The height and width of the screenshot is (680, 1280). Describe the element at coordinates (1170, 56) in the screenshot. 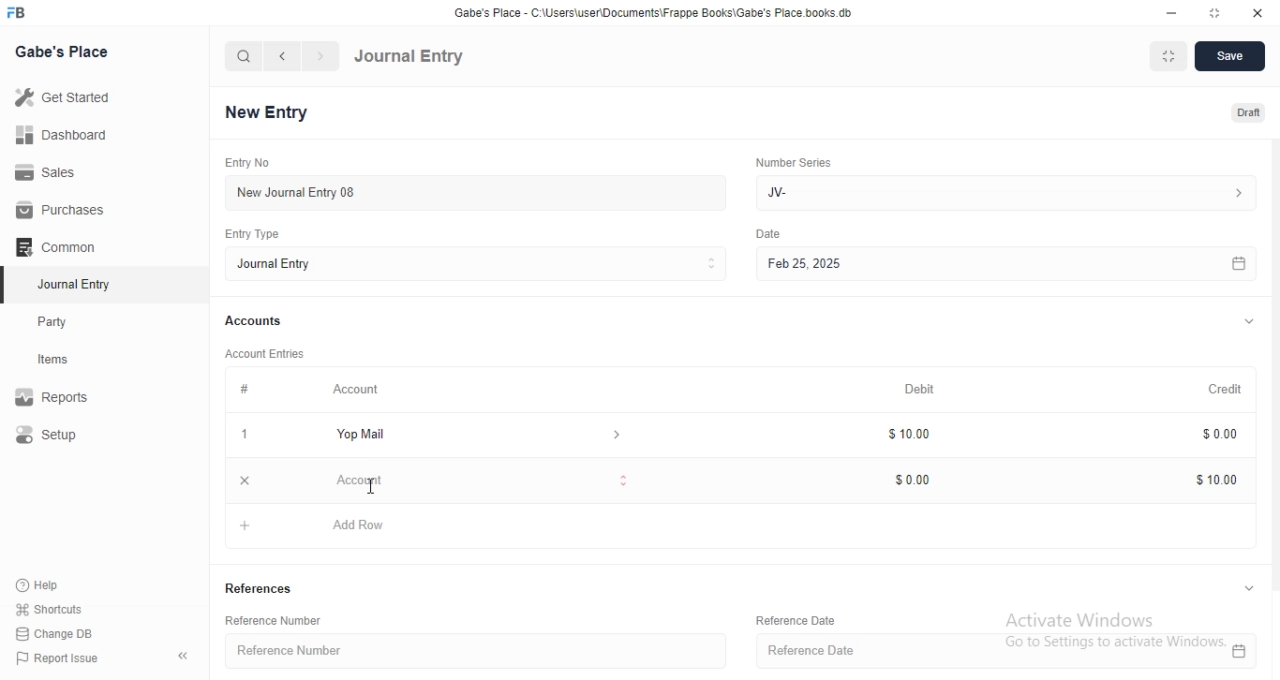

I see `Fit to Window` at that location.